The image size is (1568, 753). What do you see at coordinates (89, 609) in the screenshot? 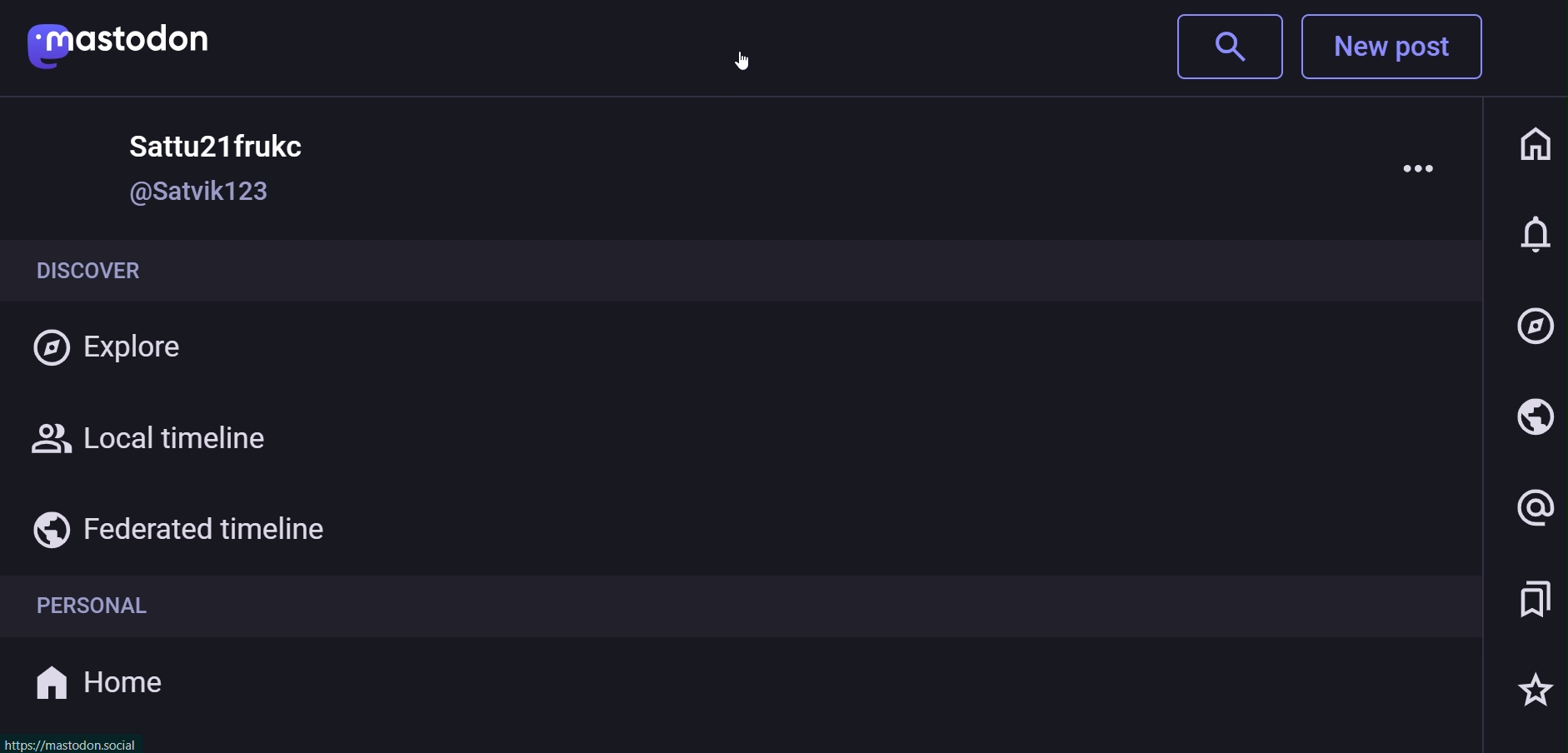
I see `personal` at bounding box center [89, 609].